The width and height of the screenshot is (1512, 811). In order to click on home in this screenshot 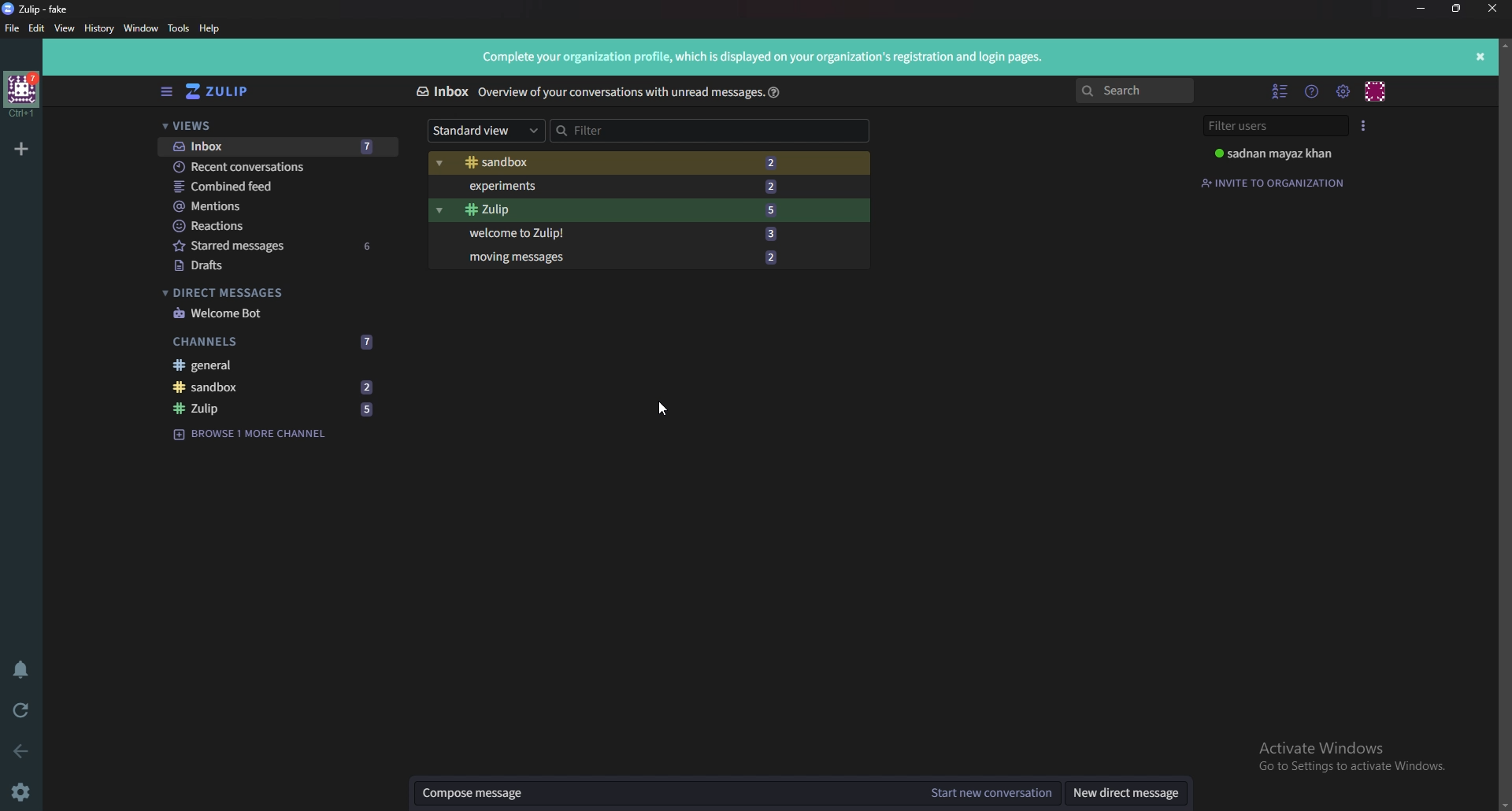, I will do `click(22, 95)`.